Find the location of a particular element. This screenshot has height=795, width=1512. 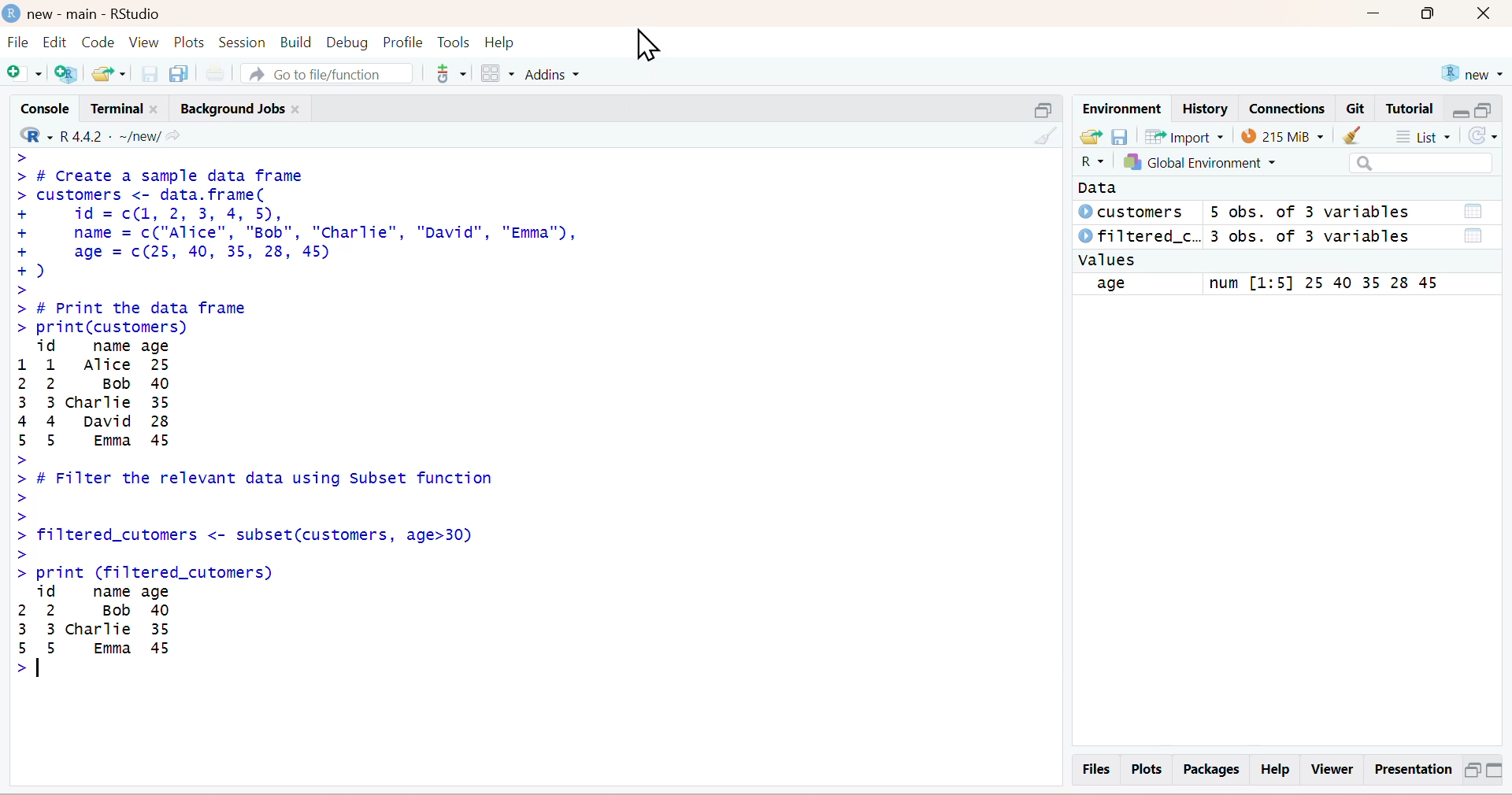

values is located at coordinates (1111, 260).